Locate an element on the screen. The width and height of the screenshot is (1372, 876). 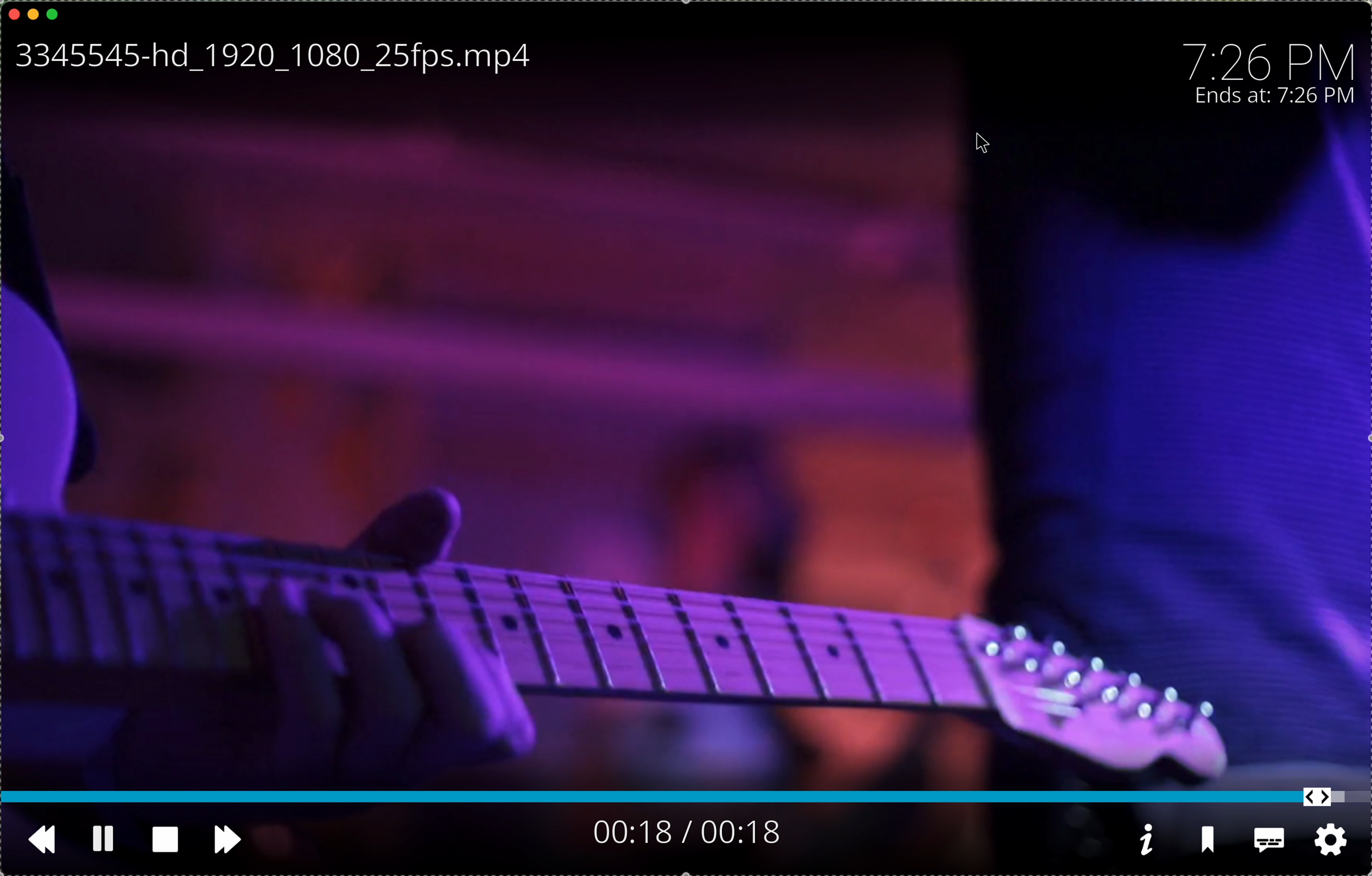
video playing is located at coordinates (686, 476).